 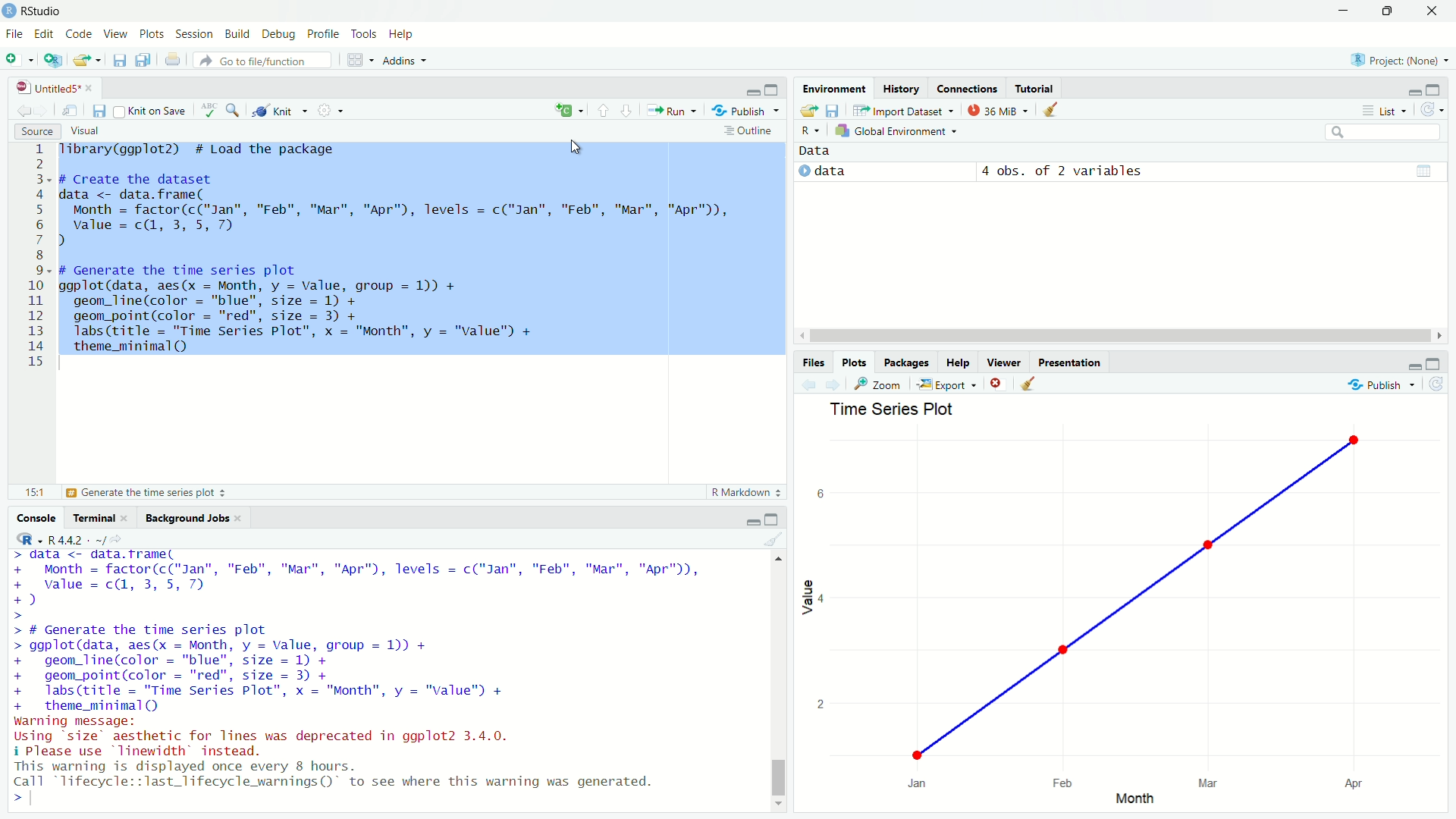 I want to click on empty plot area, so click(x=1127, y=608).